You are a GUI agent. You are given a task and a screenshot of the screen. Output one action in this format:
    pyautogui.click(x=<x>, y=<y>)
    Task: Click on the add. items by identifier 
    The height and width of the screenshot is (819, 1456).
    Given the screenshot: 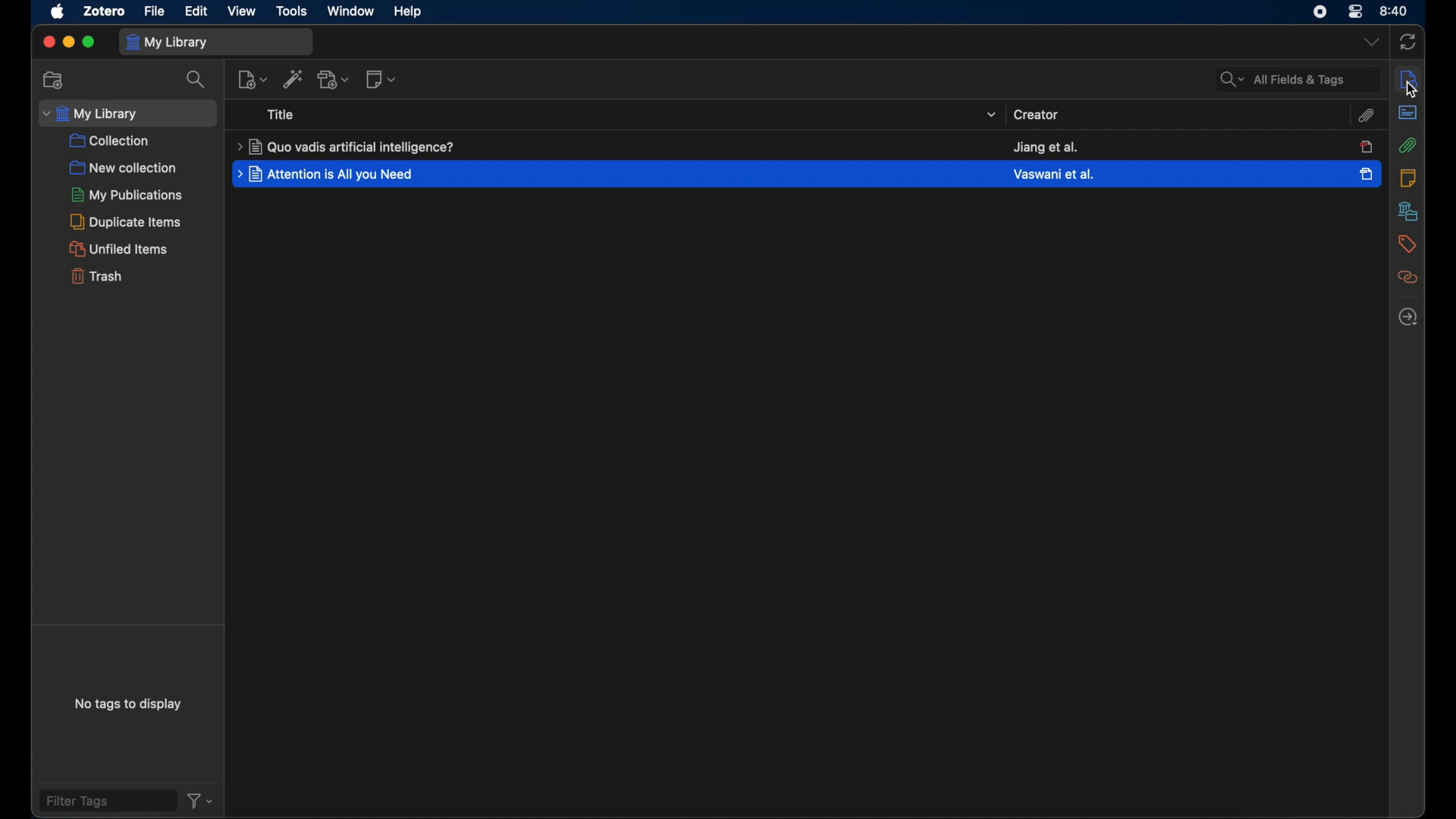 What is the action you would take?
    pyautogui.click(x=293, y=80)
    